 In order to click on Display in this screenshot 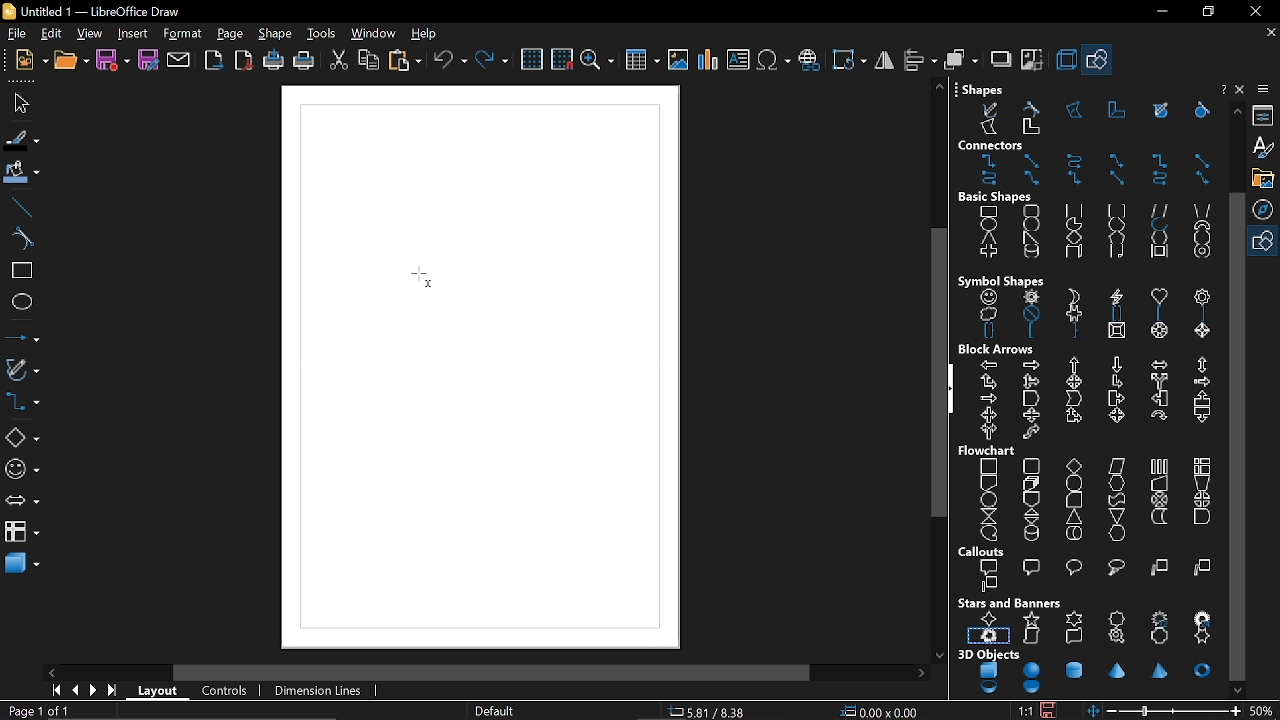, I will do `click(478, 358)`.